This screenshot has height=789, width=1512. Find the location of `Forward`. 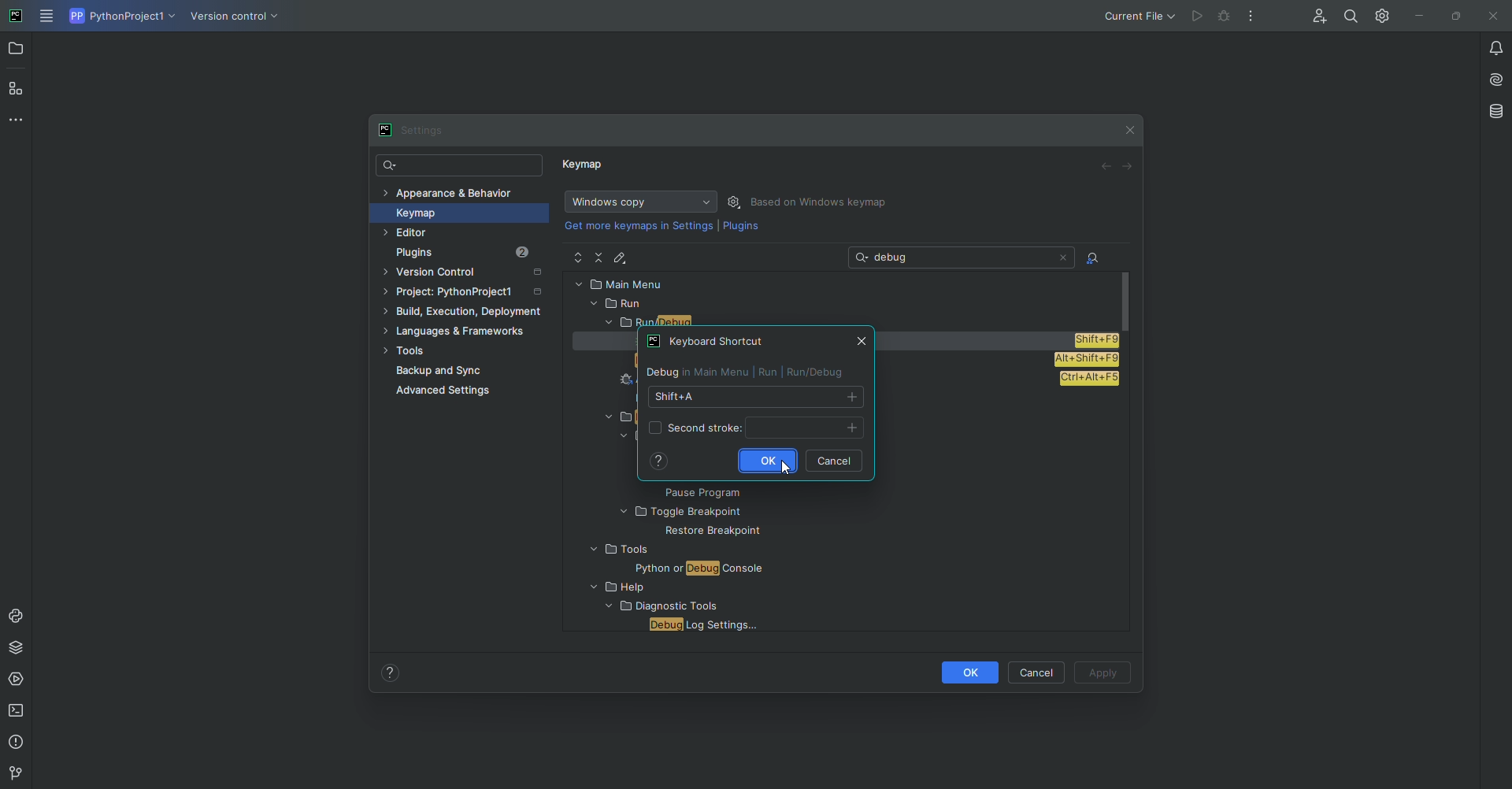

Forward is located at coordinates (1128, 166).